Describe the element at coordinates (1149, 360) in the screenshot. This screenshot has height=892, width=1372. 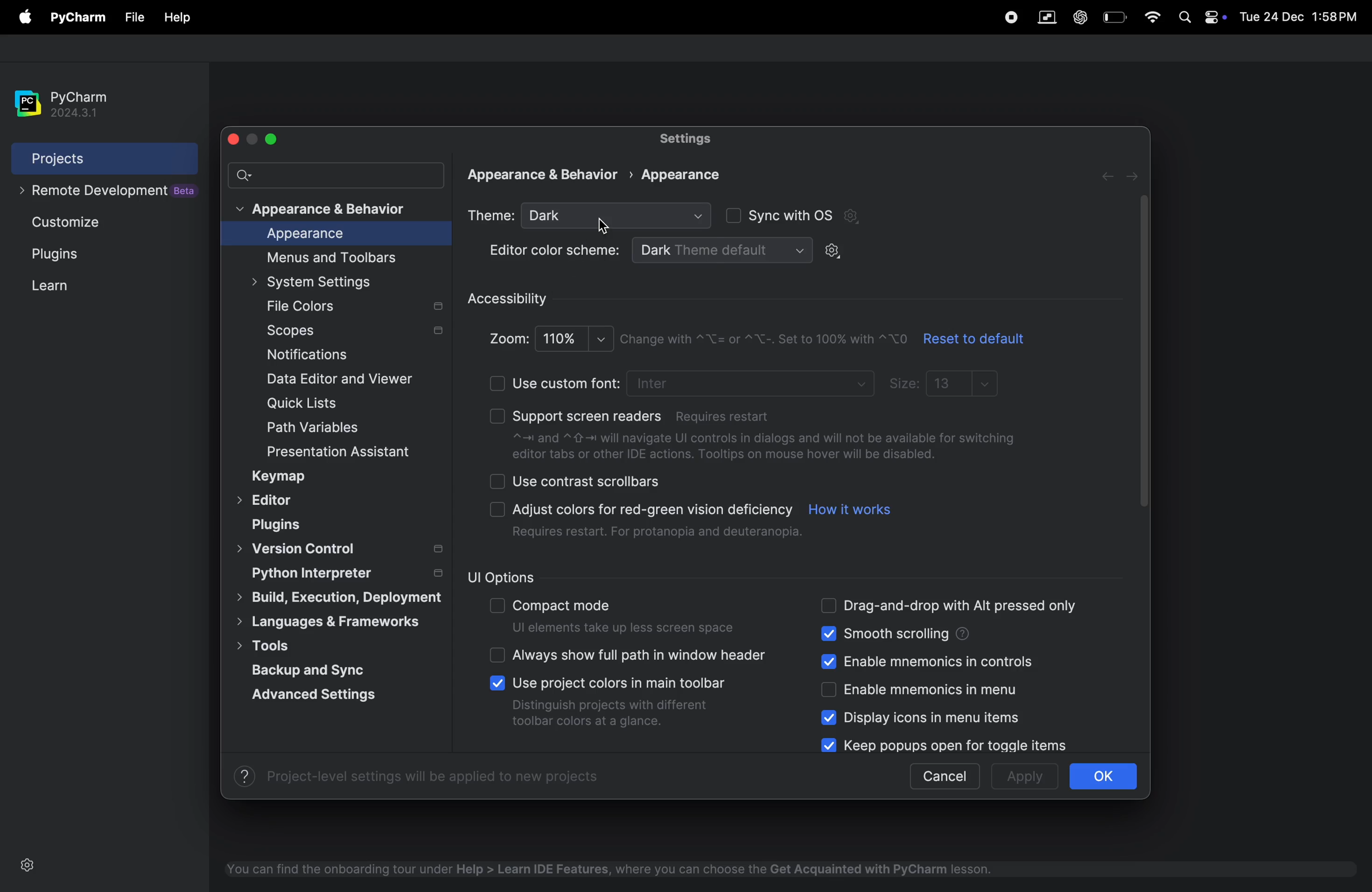
I see `scroll bar` at that location.